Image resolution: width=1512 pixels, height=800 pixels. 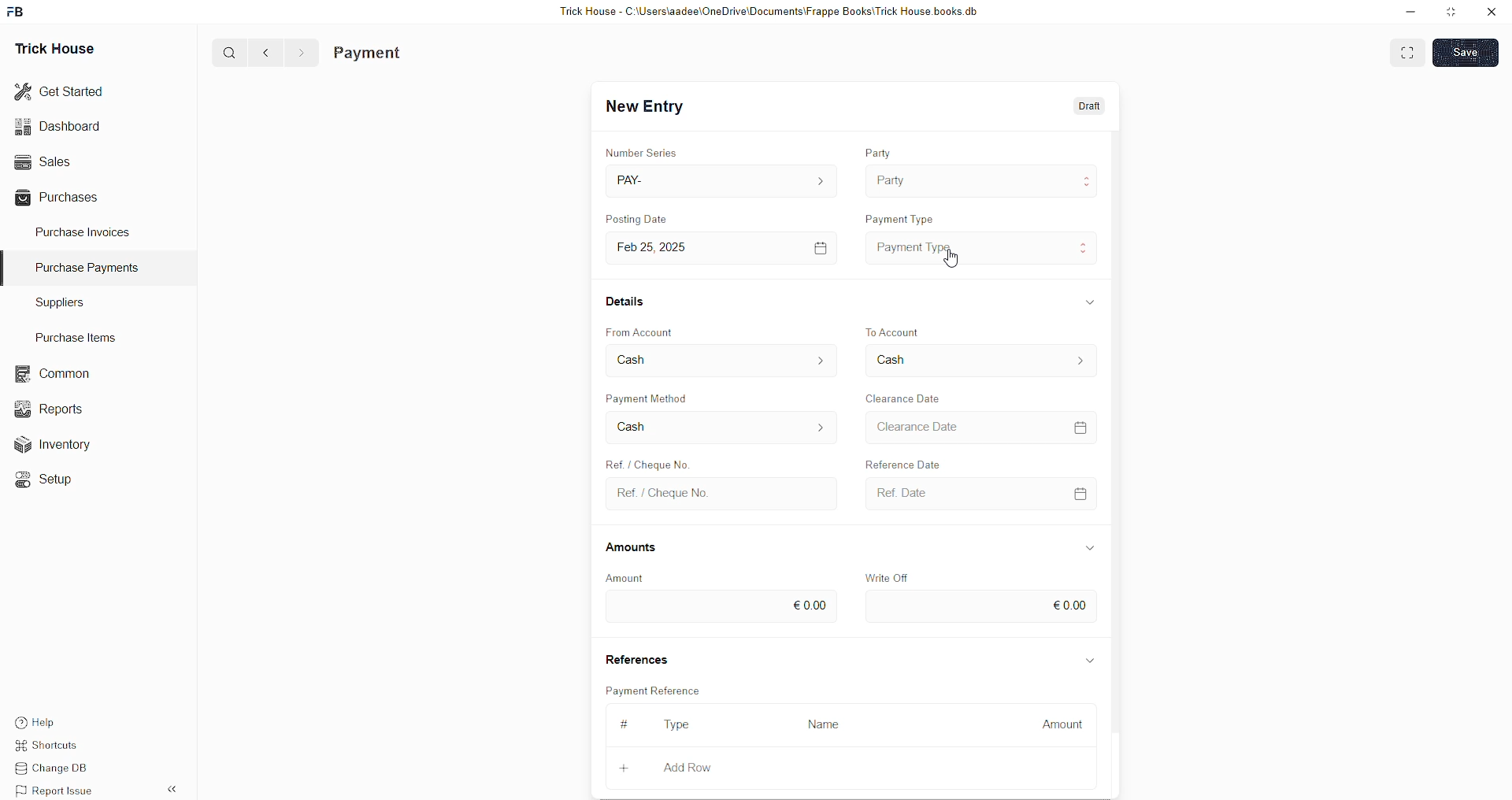 I want to click on , so click(x=1091, y=547).